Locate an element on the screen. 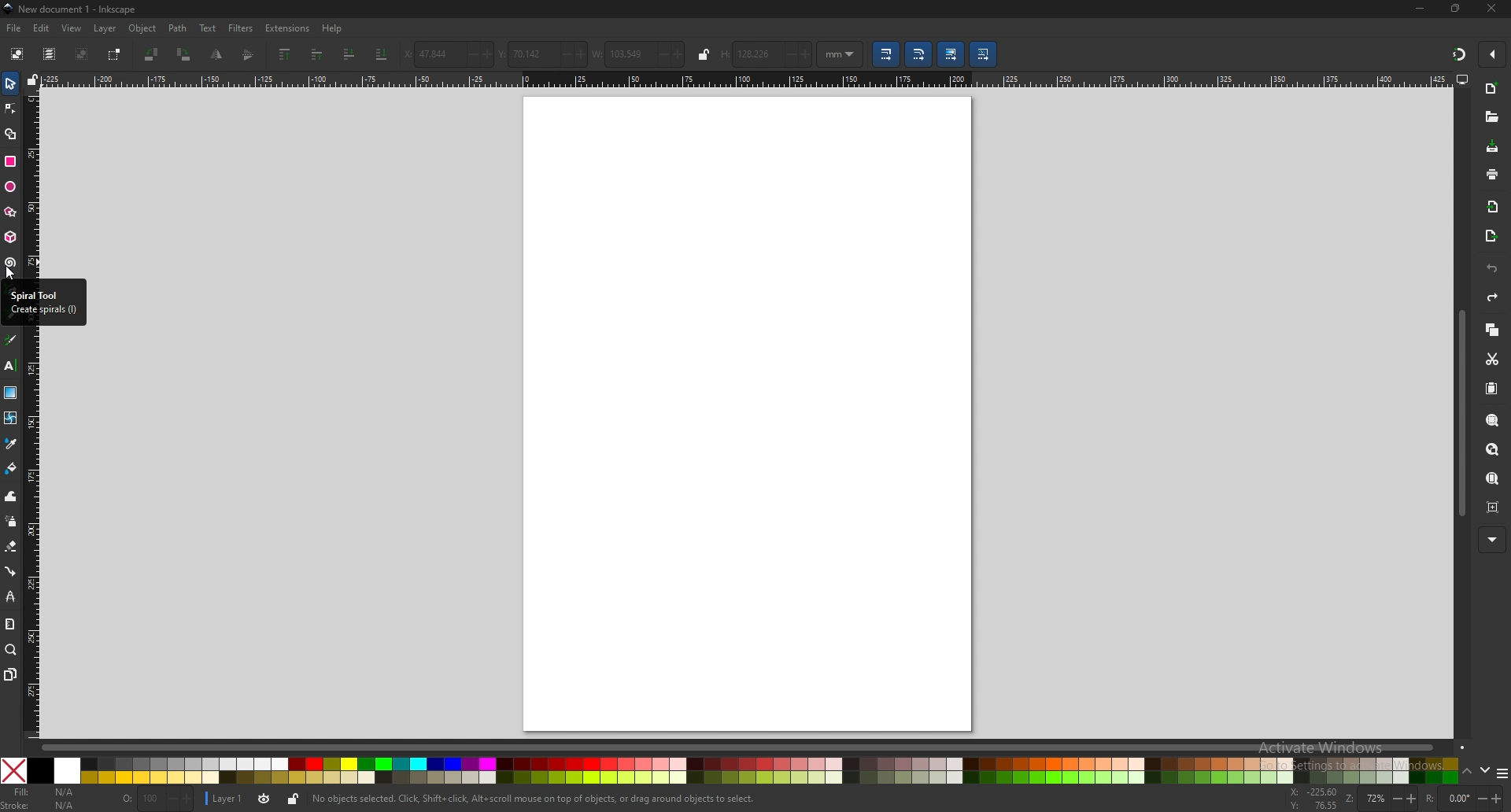 Image resolution: width=1511 pixels, height=812 pixels. zoom selection is located at coordinates (1491, 421).